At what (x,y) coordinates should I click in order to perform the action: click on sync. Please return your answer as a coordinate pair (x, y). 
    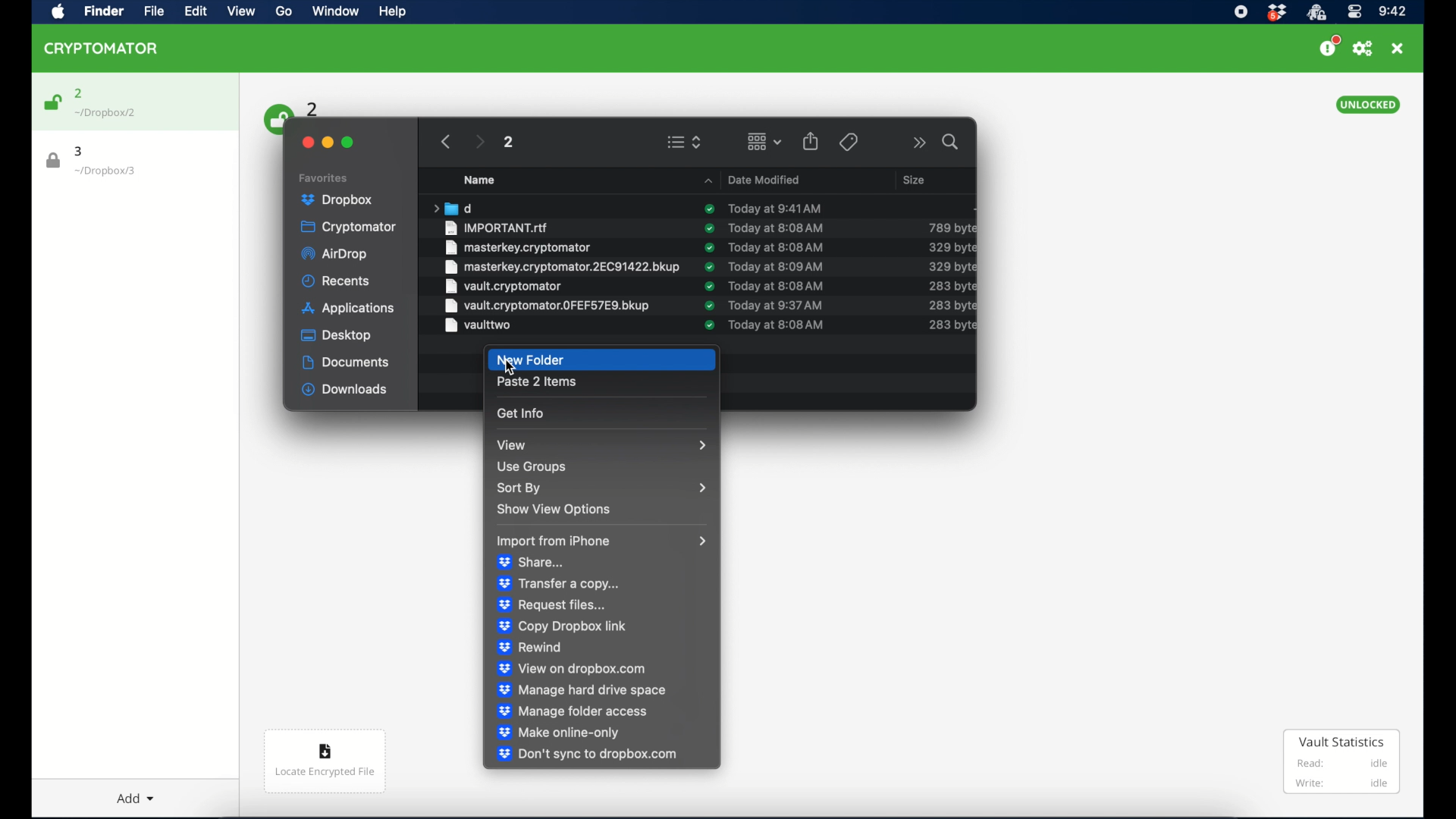
    Looking at the image, I should click on (709, 247).